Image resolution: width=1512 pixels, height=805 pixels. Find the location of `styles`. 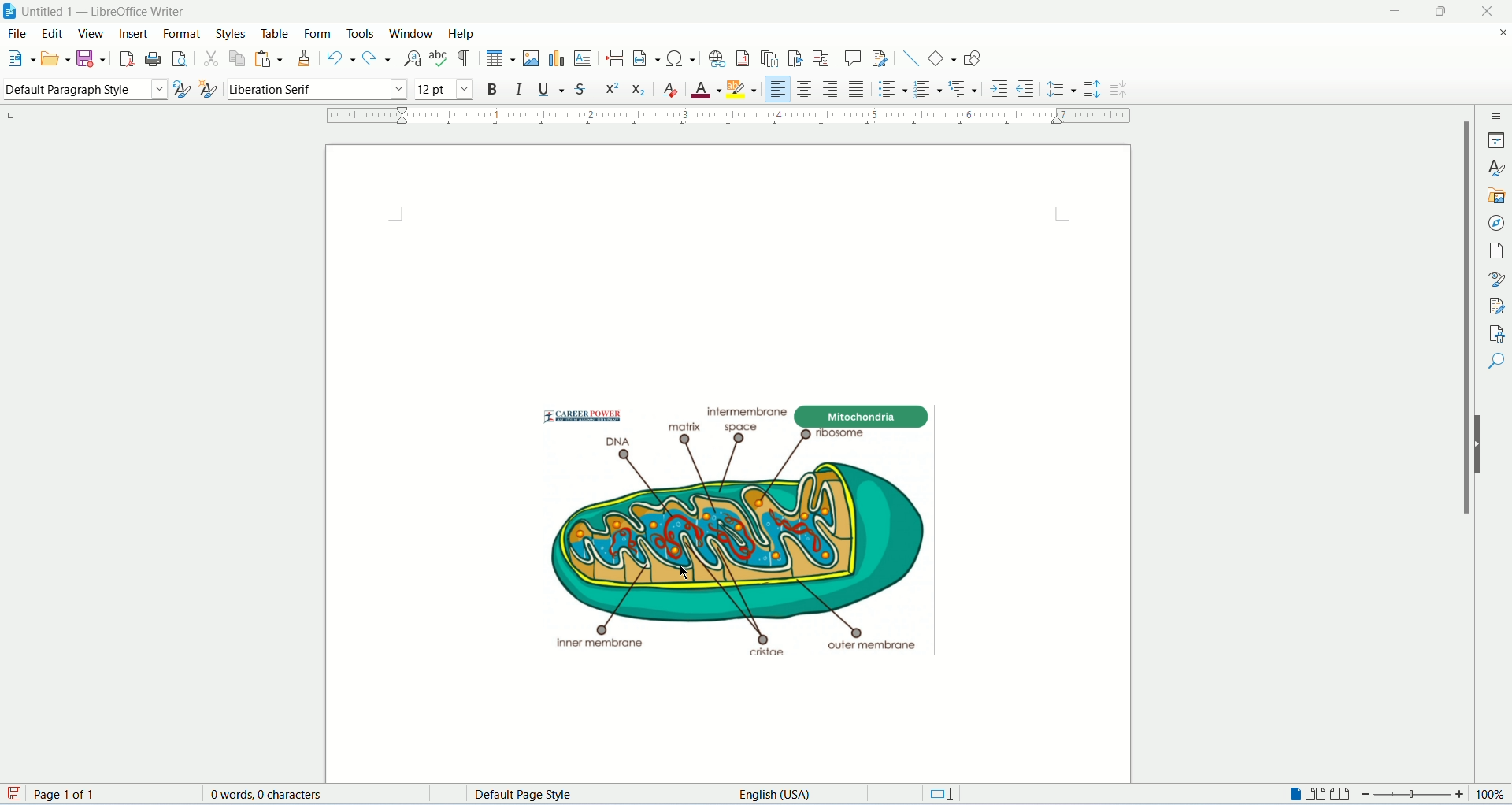

styles is located at coordinates (1496, 168).